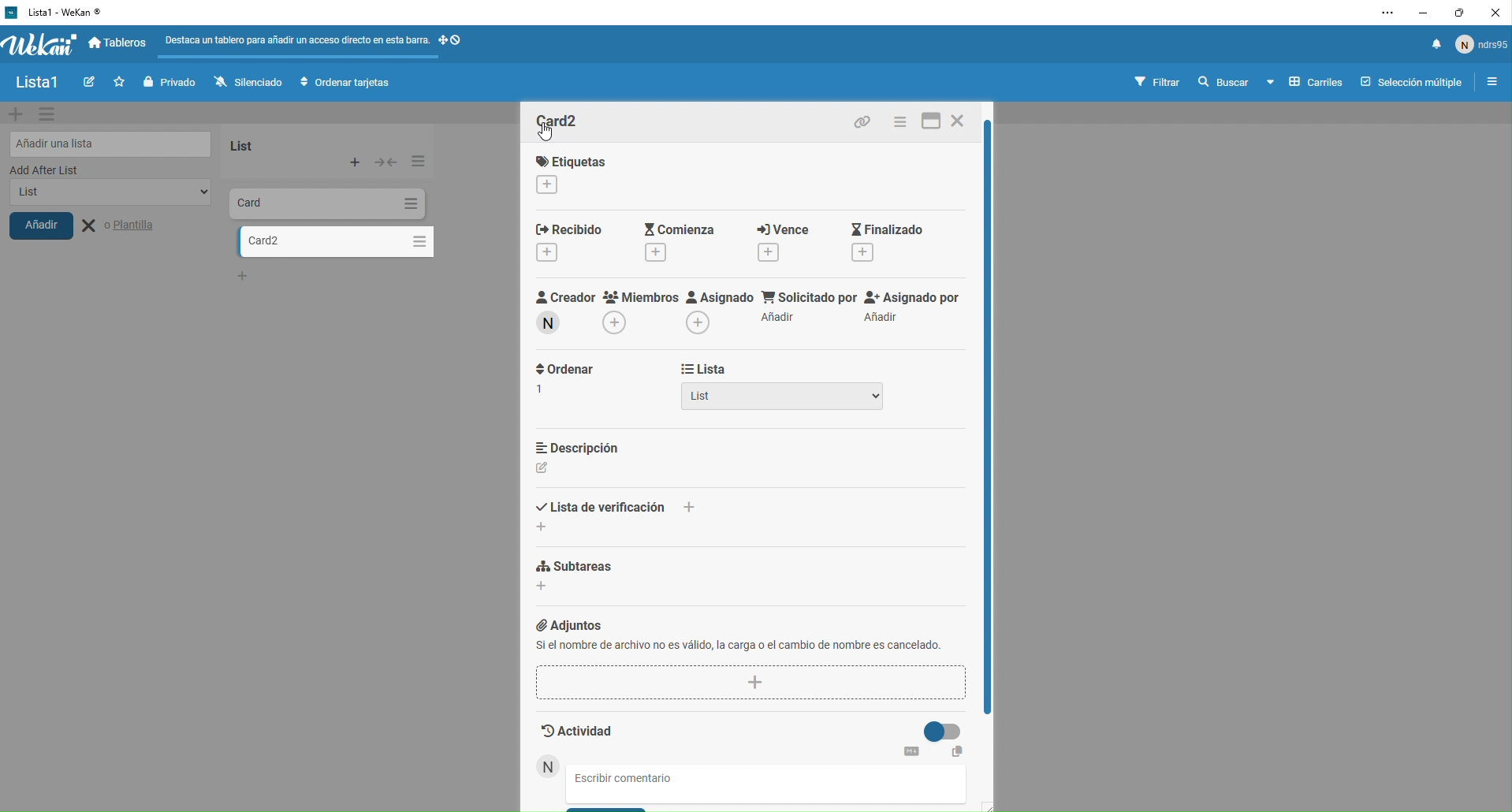 This screenshot has width=1512, height=812. Describe the element at coordinates (754, 737) in the screenshot. I see `activities` at that location.